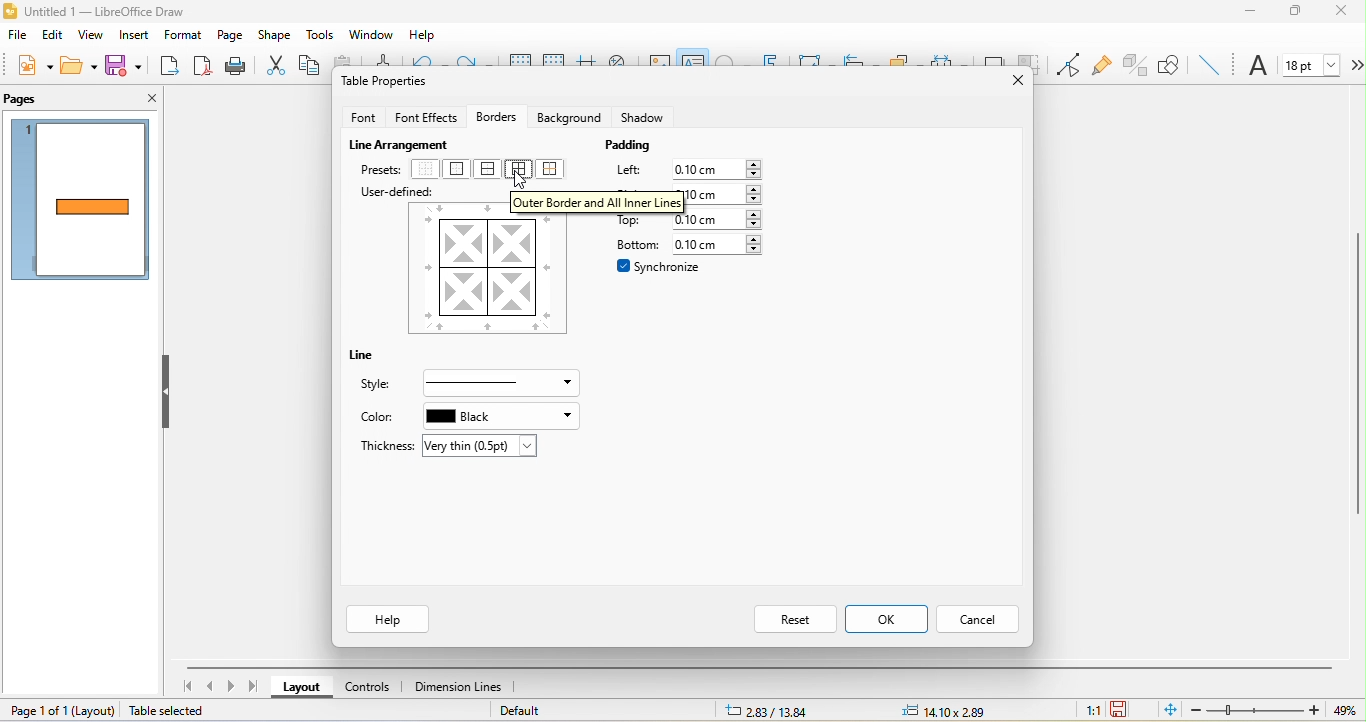 The image size is (1366, 722). What do you see at coordinates (381, 170) in the screenshot?
I see `presets` at bounding box center [381, 170].